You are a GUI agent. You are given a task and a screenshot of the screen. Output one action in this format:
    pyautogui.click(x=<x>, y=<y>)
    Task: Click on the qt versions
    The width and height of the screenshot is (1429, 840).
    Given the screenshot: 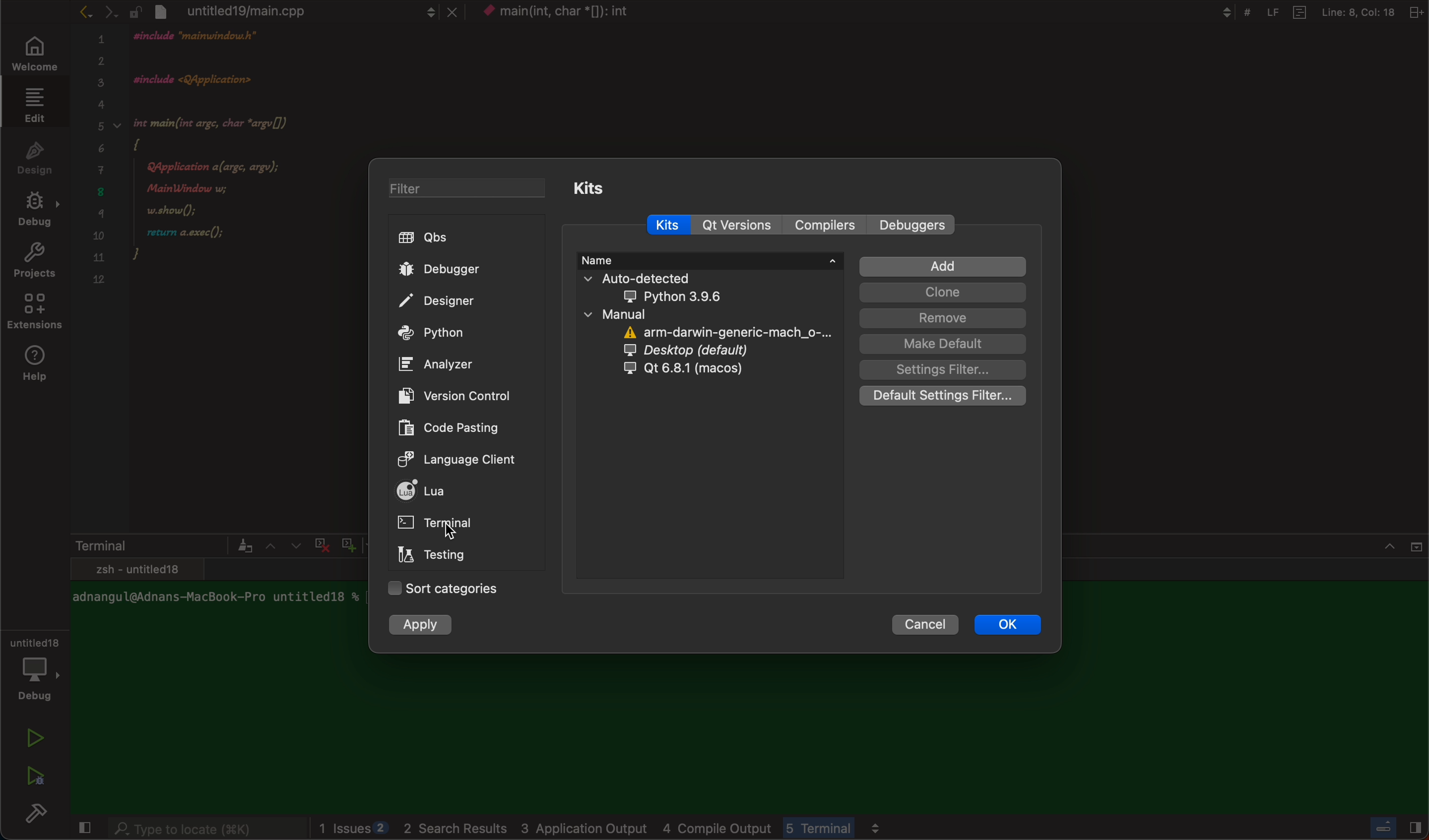 What is the action you would take?
    pyautogui.click(x=737, y=225)
    